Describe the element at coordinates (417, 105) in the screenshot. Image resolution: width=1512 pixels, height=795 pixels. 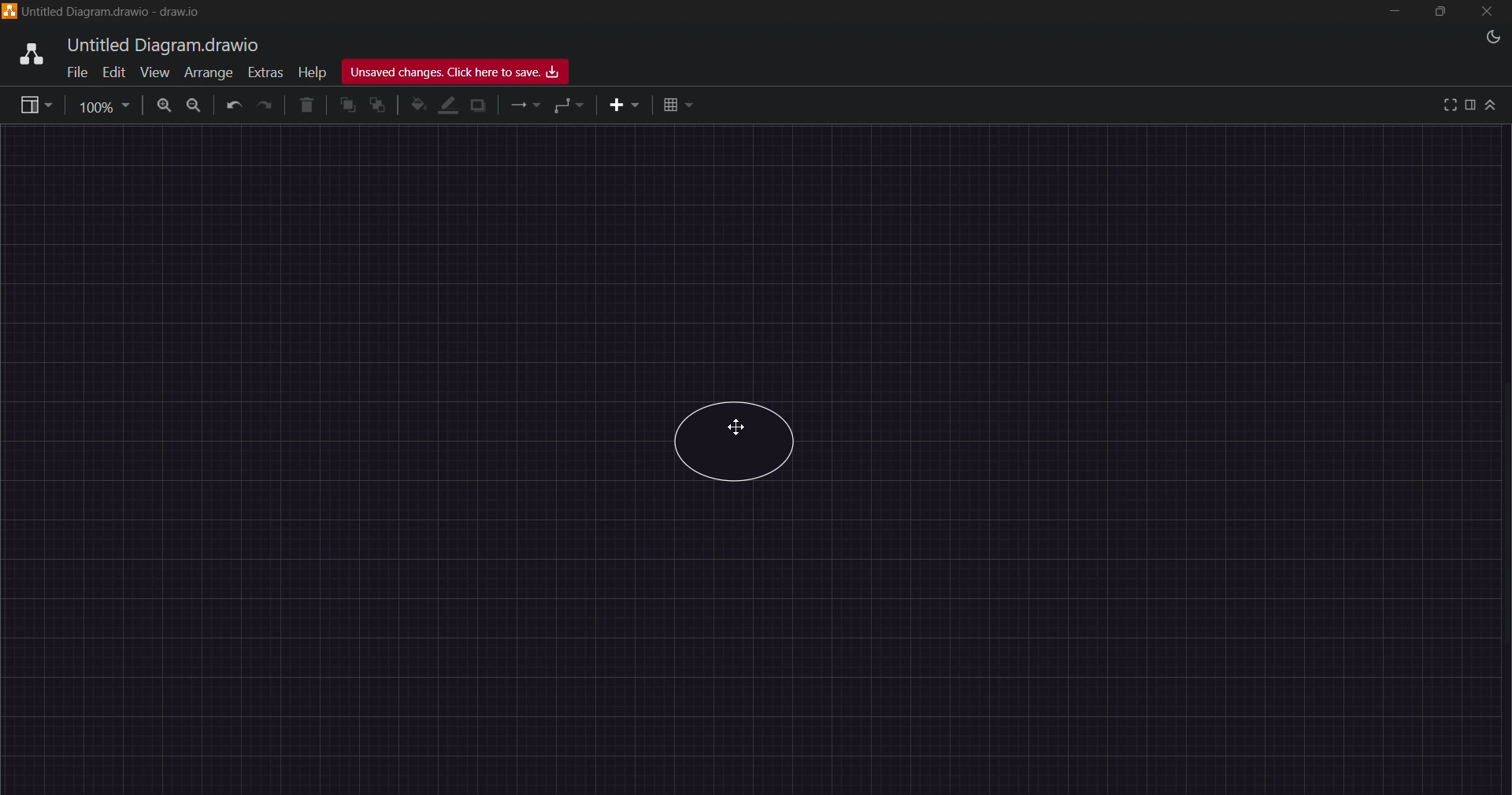
I see `fill color` at that location.